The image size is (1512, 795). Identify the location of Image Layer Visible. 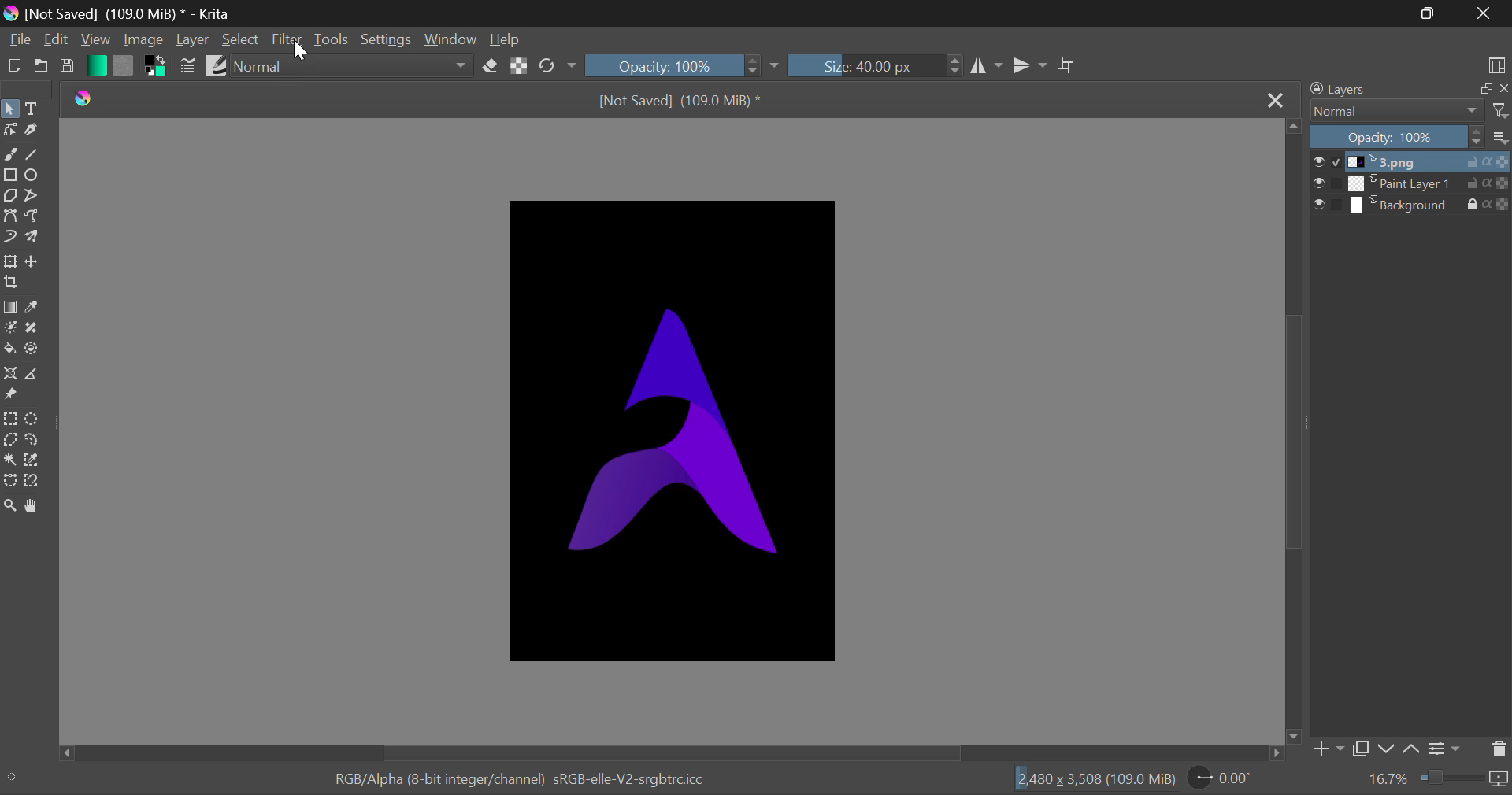
(676, 431).